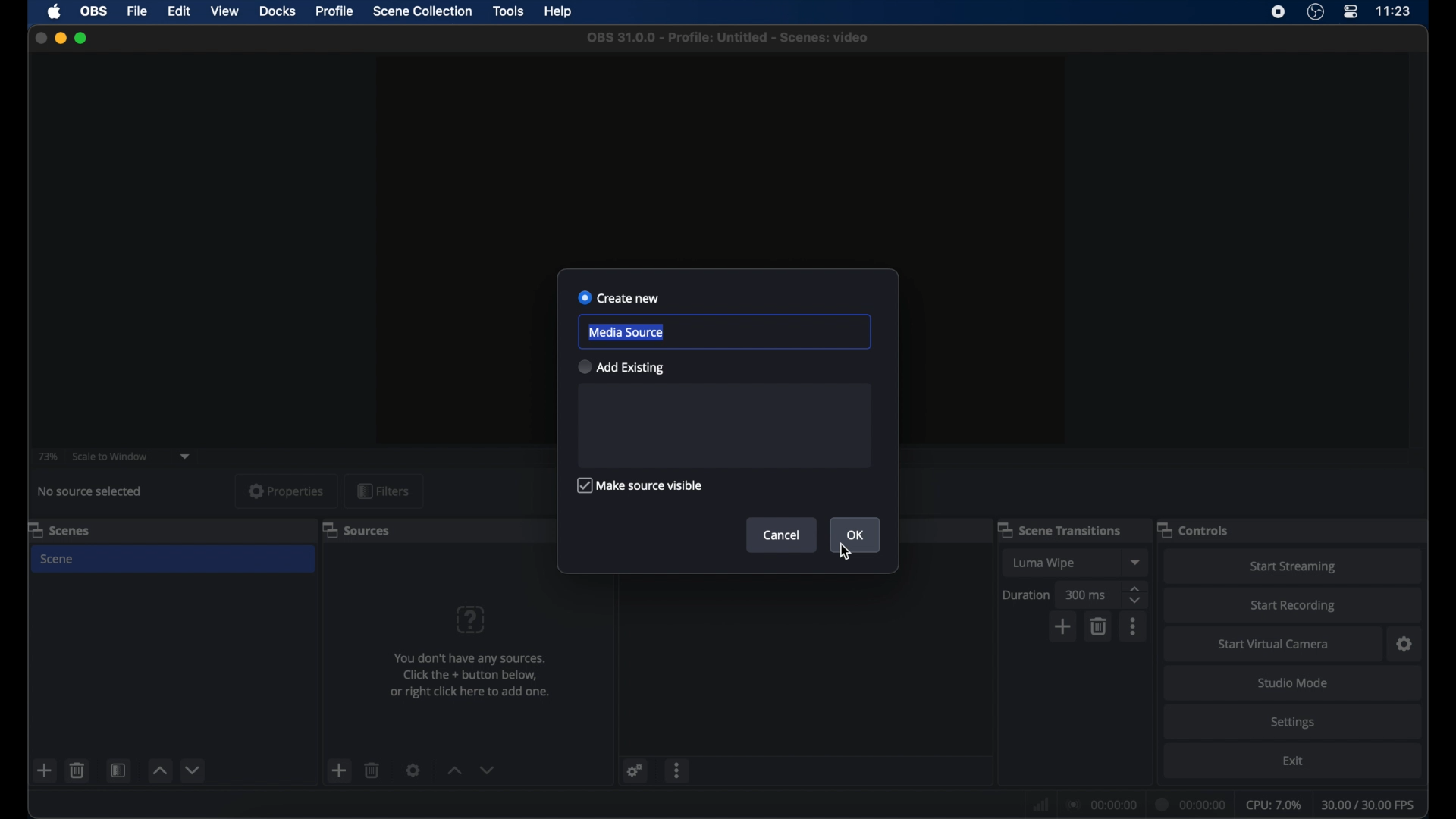 This screenshot has height=819, width=1456. I want to click on help, so click(560, 12).